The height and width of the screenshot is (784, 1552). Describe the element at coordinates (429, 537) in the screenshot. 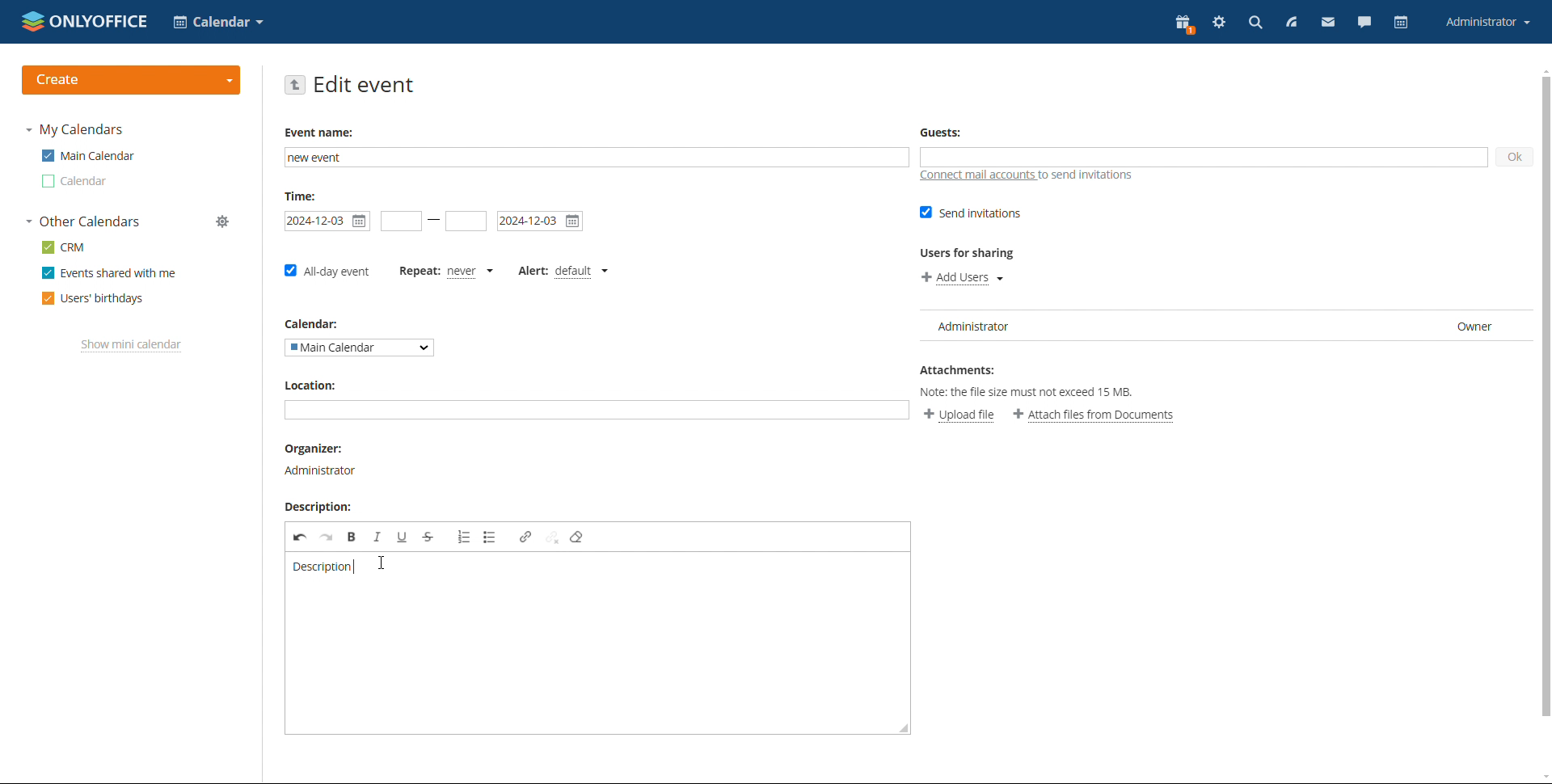

I see `strikethrough` at that location.